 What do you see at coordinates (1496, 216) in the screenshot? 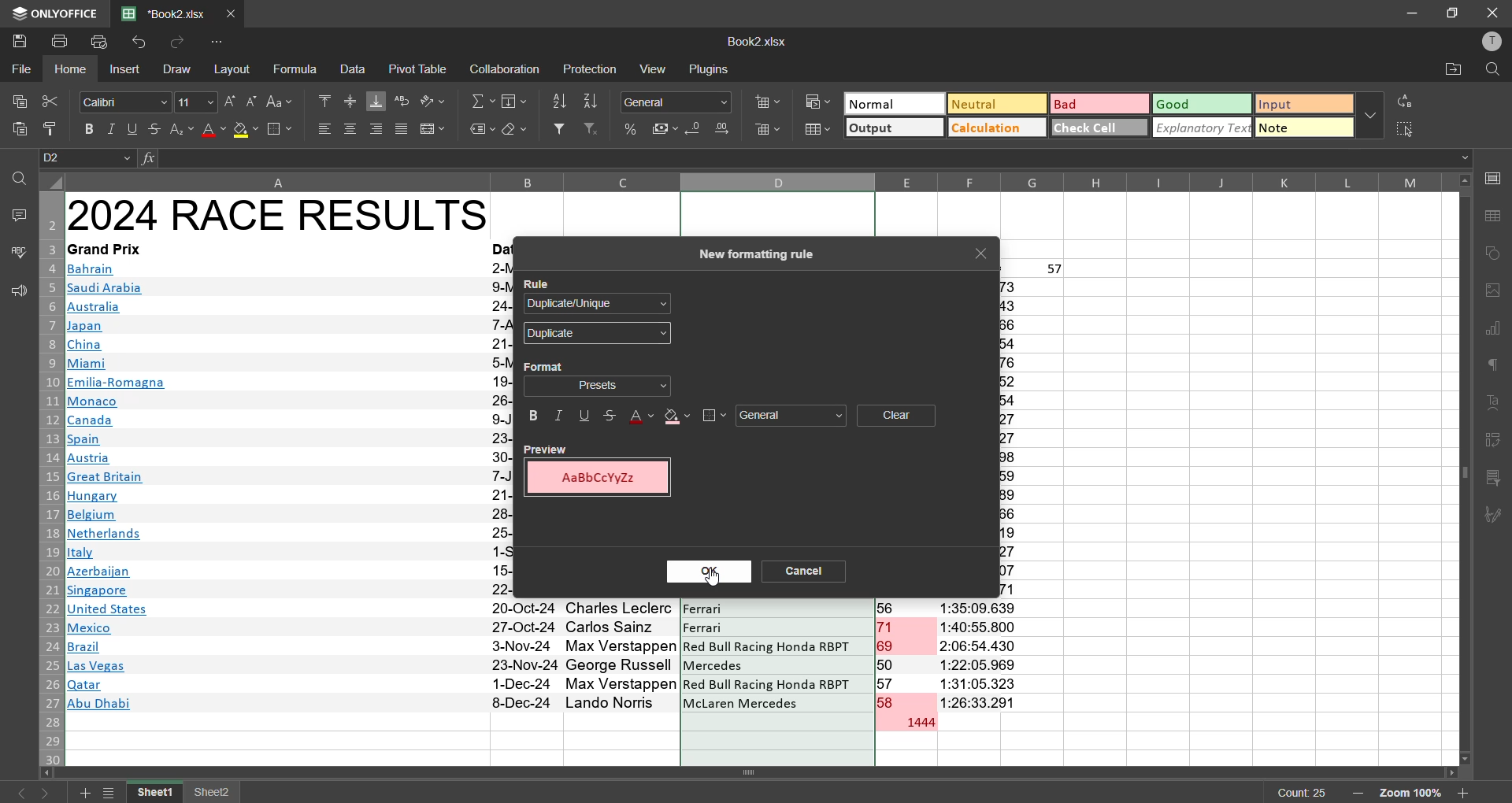
I see `table` at bounding box center [1496, 216].